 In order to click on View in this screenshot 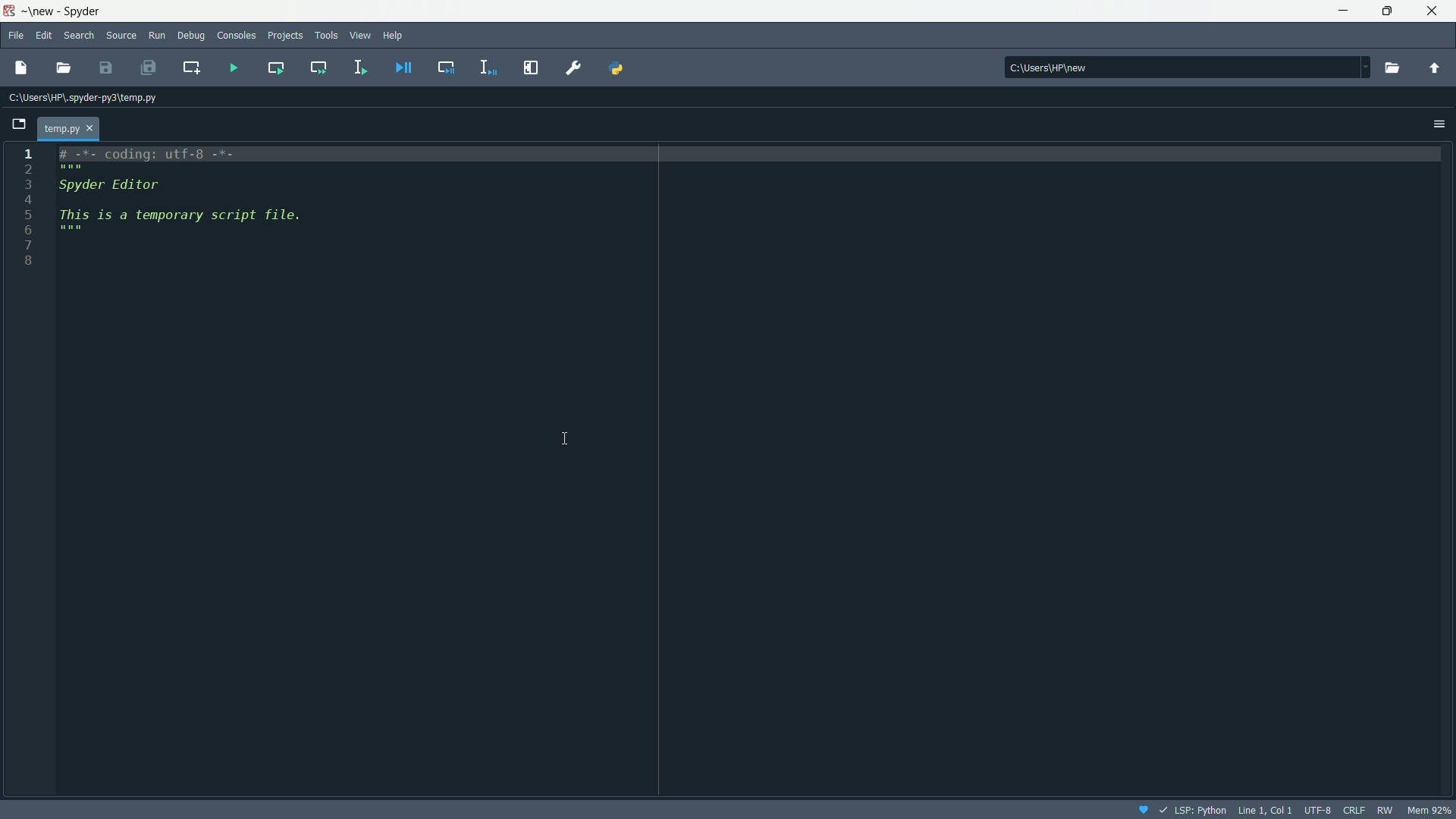, I will do `click(356, 36)`.